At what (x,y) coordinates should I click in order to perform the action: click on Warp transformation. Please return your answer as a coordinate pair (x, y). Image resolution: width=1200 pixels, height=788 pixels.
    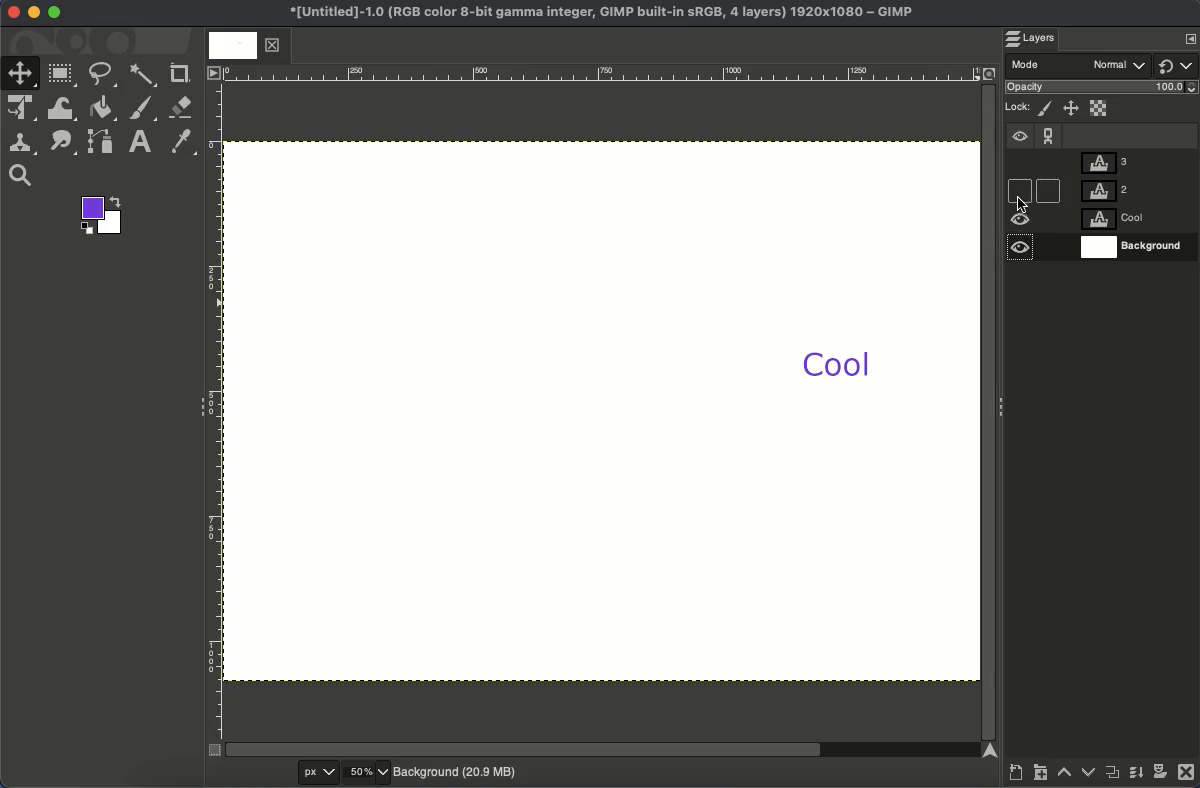
    Looking at the image, I should click on (63, 110).